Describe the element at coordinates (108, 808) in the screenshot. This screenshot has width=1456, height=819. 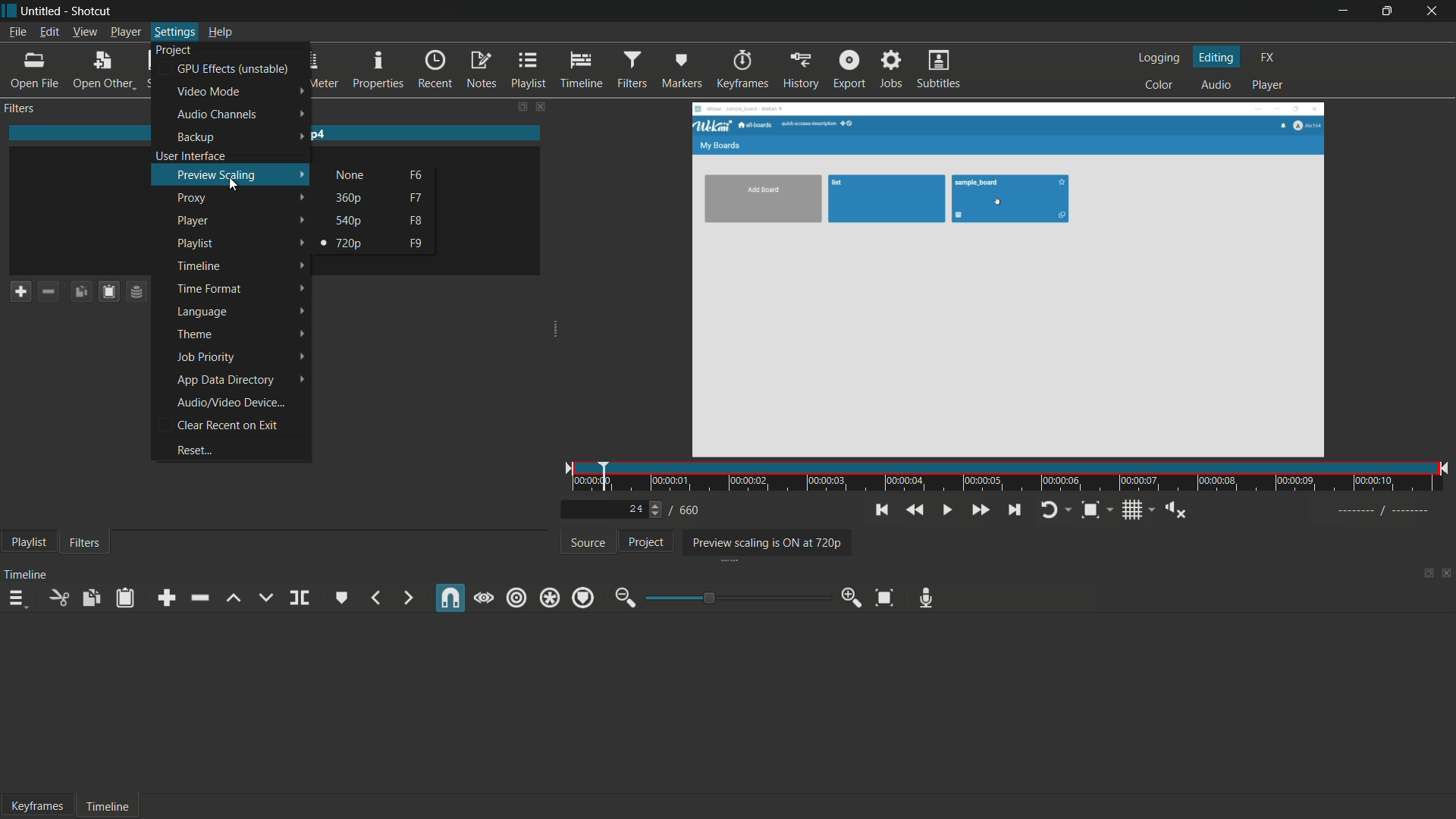
I see `timeline` at that location.